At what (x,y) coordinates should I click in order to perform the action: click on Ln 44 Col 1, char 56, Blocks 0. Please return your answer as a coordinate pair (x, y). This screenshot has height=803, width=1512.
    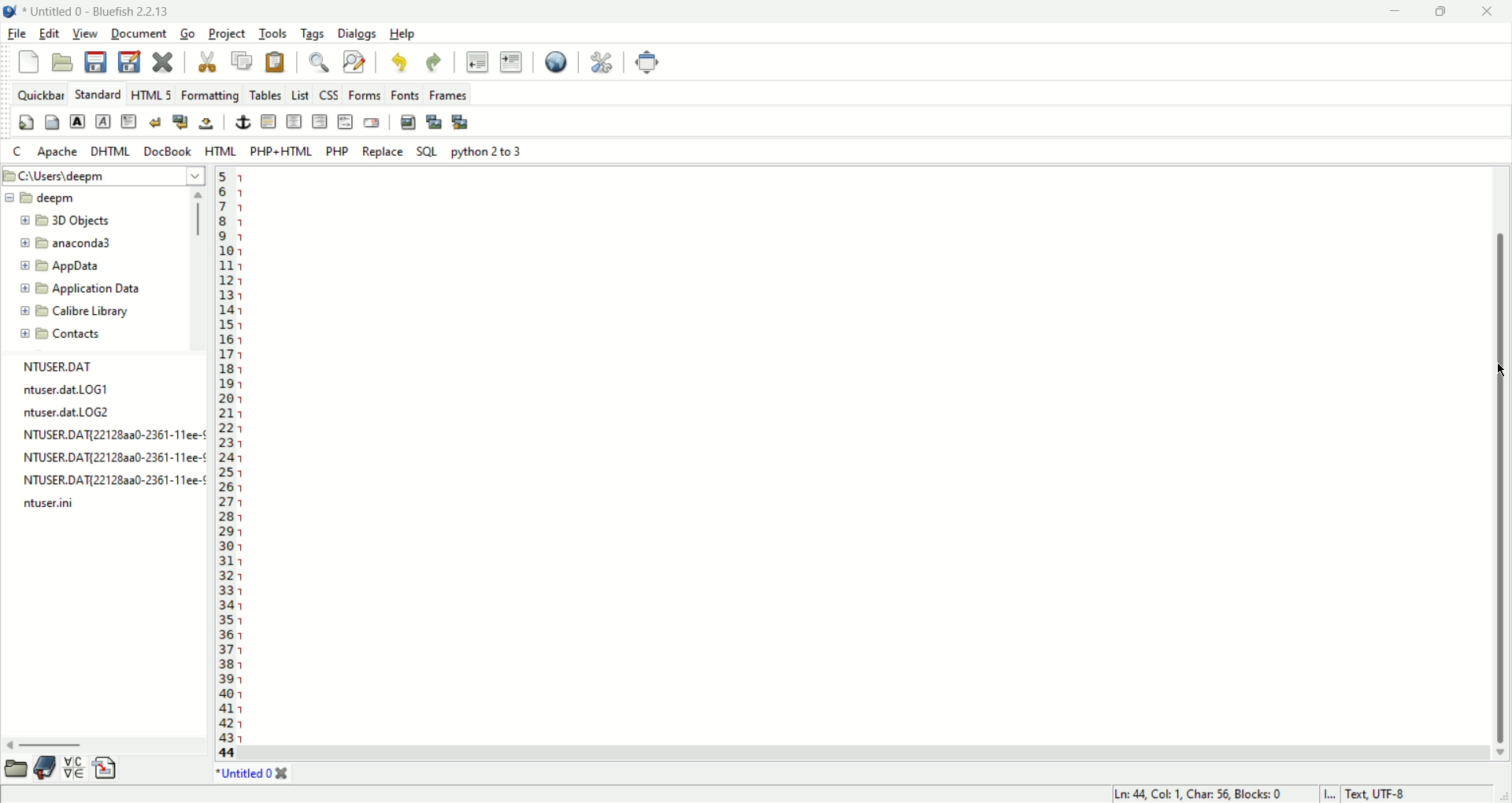
    Looking at the image, I should click on (1195, 787).